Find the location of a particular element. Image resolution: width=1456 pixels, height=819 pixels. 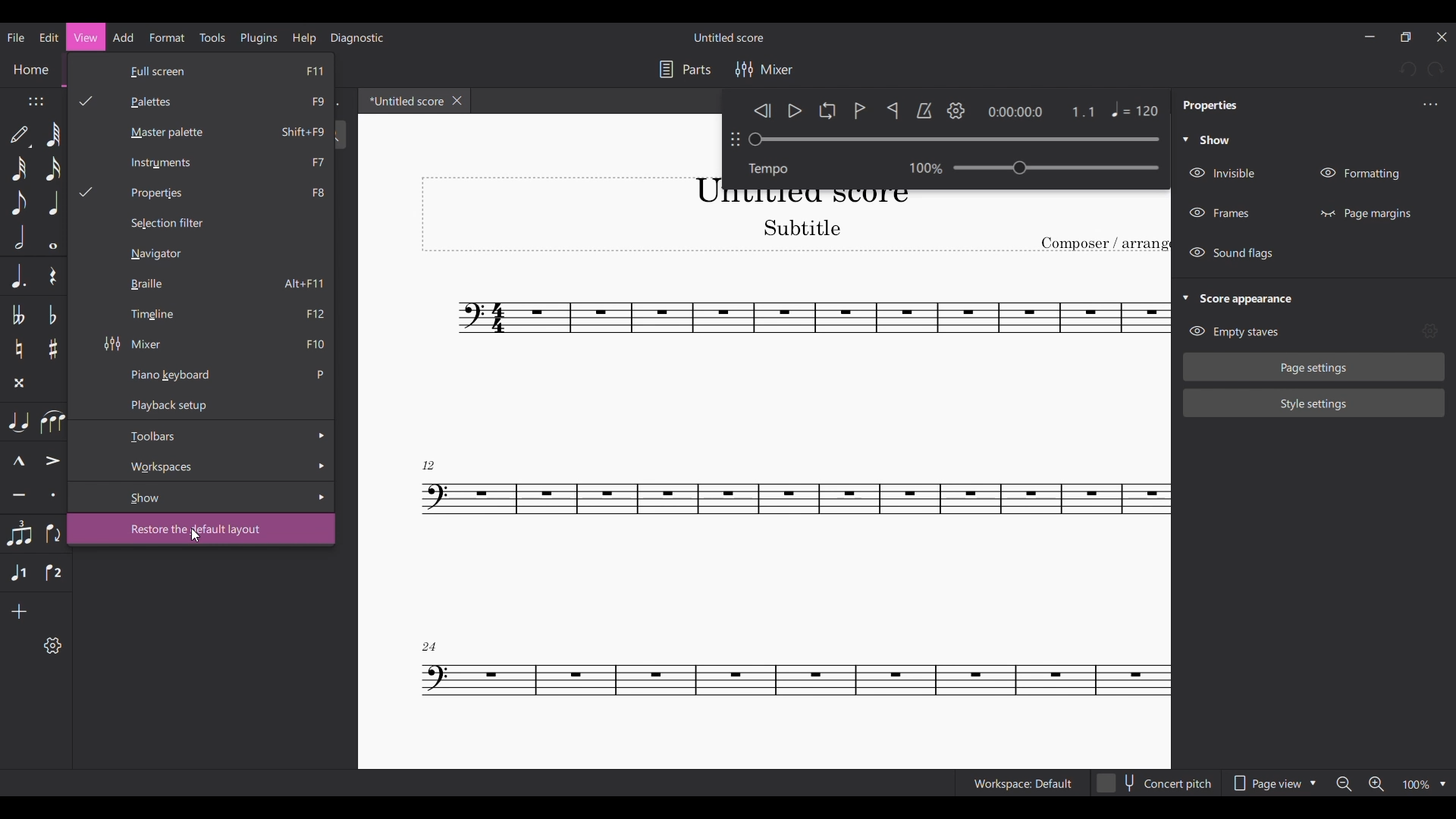

Voice 1 is located at coordinates (19, 573).